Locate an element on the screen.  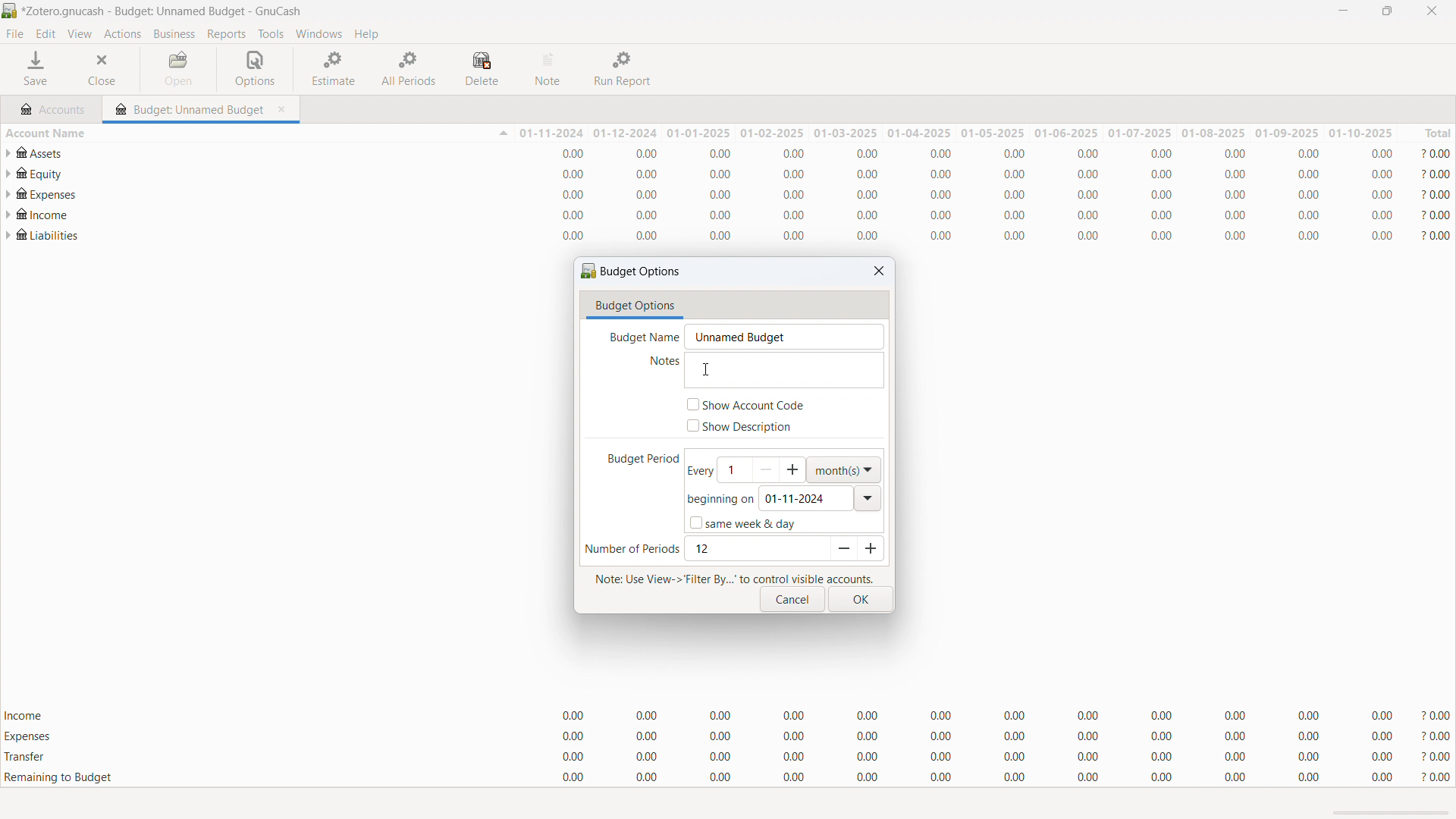
Note: Use View-> Filter By..." to control visible accounts. is located at coordinates (733, 577).